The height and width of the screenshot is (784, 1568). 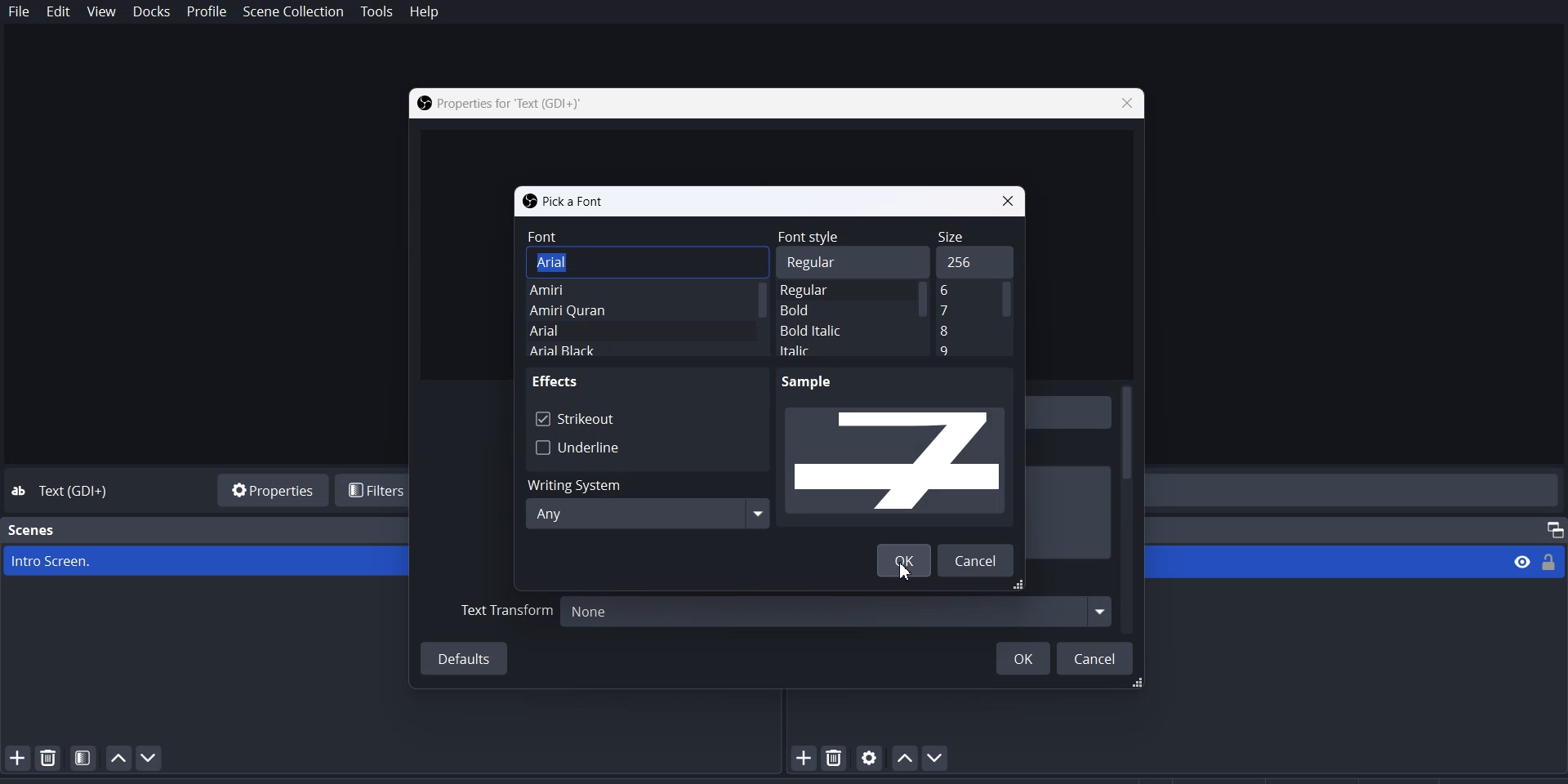 I want to click on View, so click(x=1521, y=563).